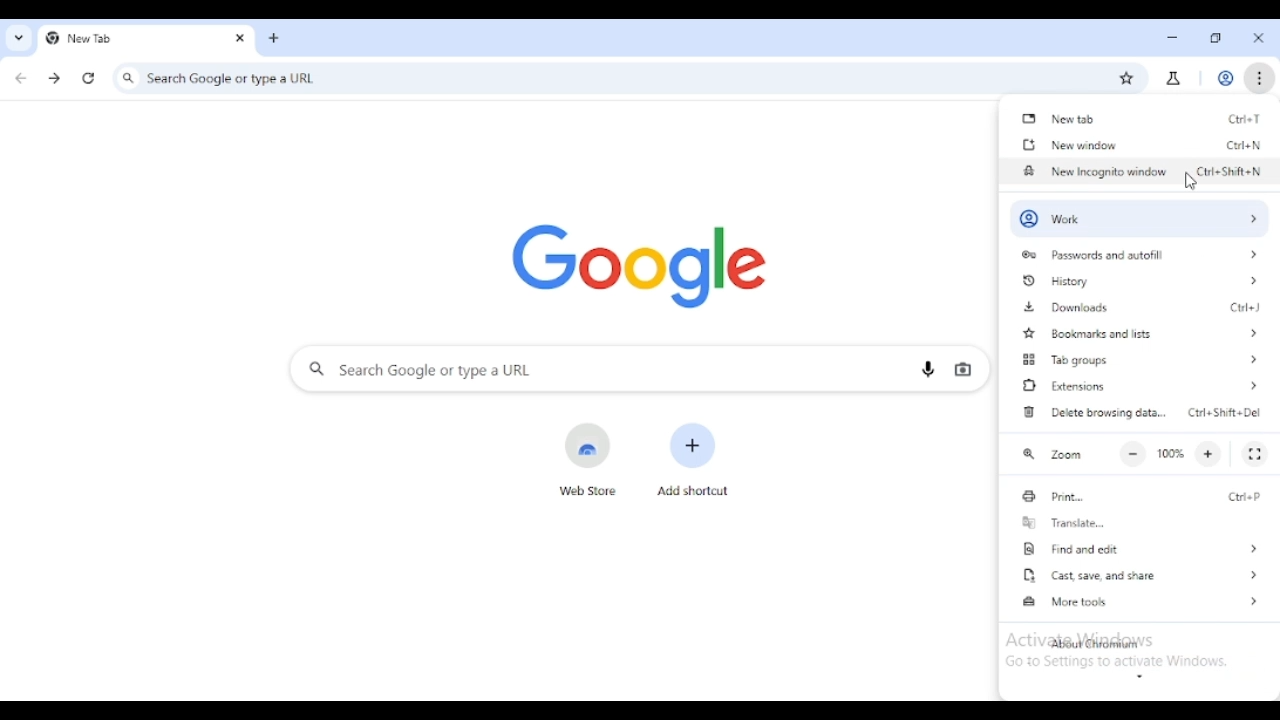 Image resolution: width=1280 pixels, height=720 pixels. Describe the element at coordinates (594, 369) in the screenshot. I see `search google or type a URL` at that location.